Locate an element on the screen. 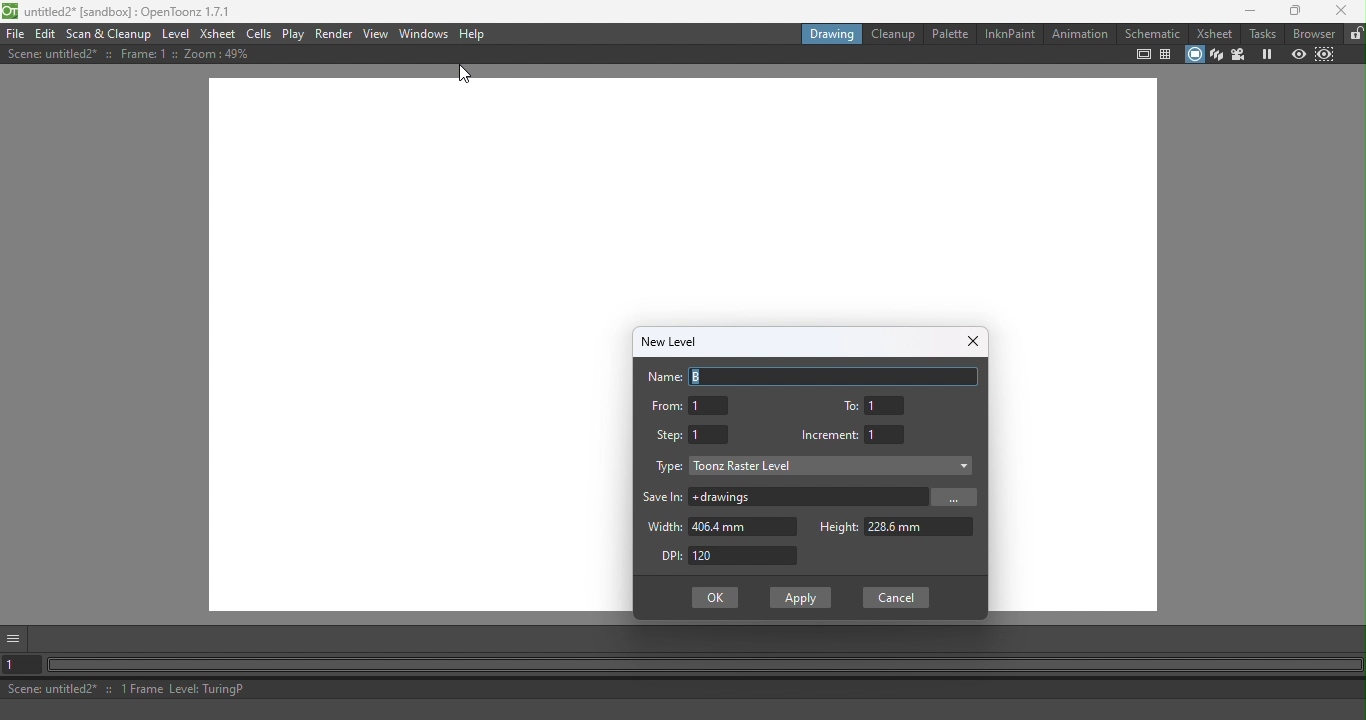 The height and width of the screenshot is (720, 1366). Xsheet is located at coordinates (1216, 31).